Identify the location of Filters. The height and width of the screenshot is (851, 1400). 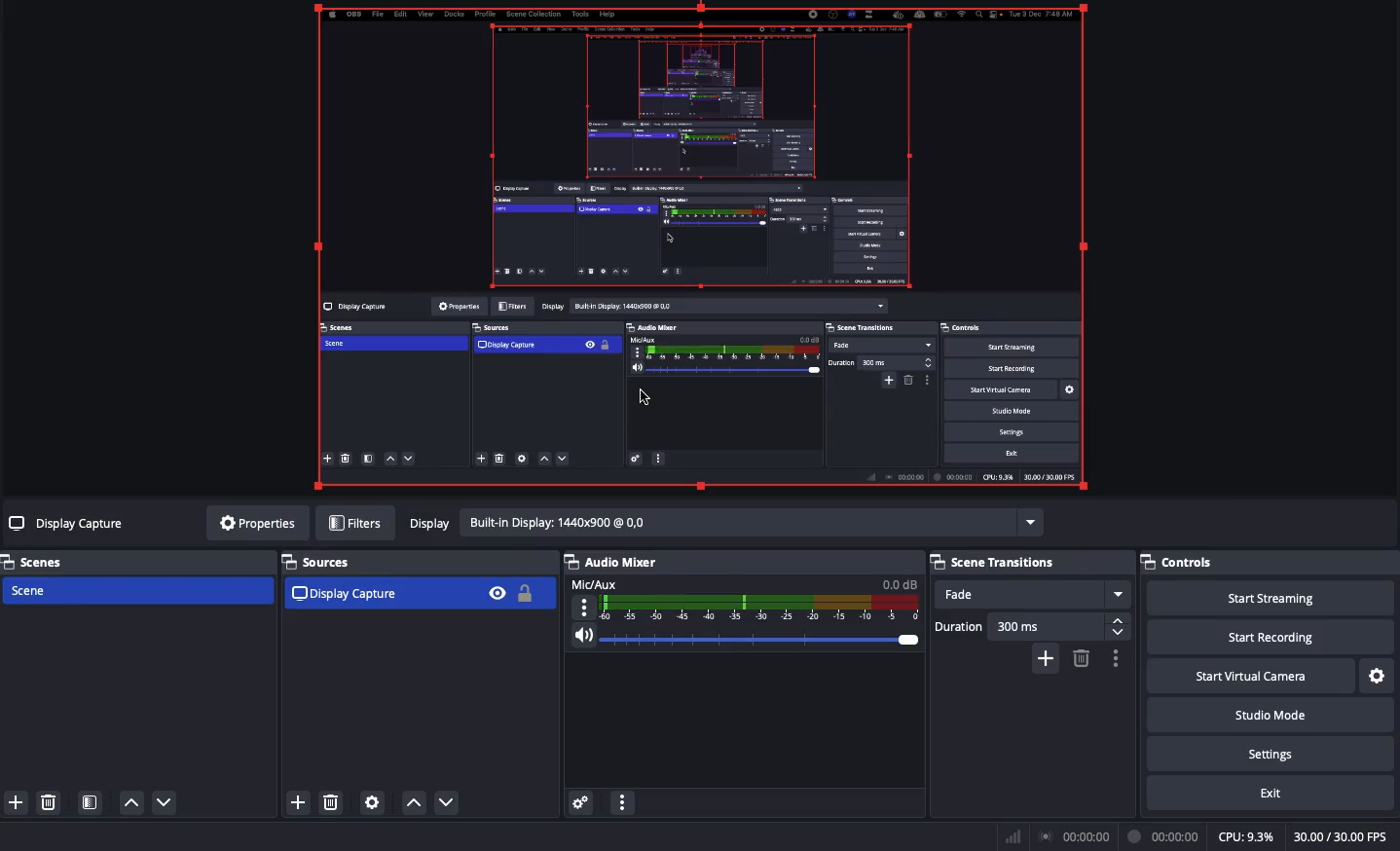
(358, 521).